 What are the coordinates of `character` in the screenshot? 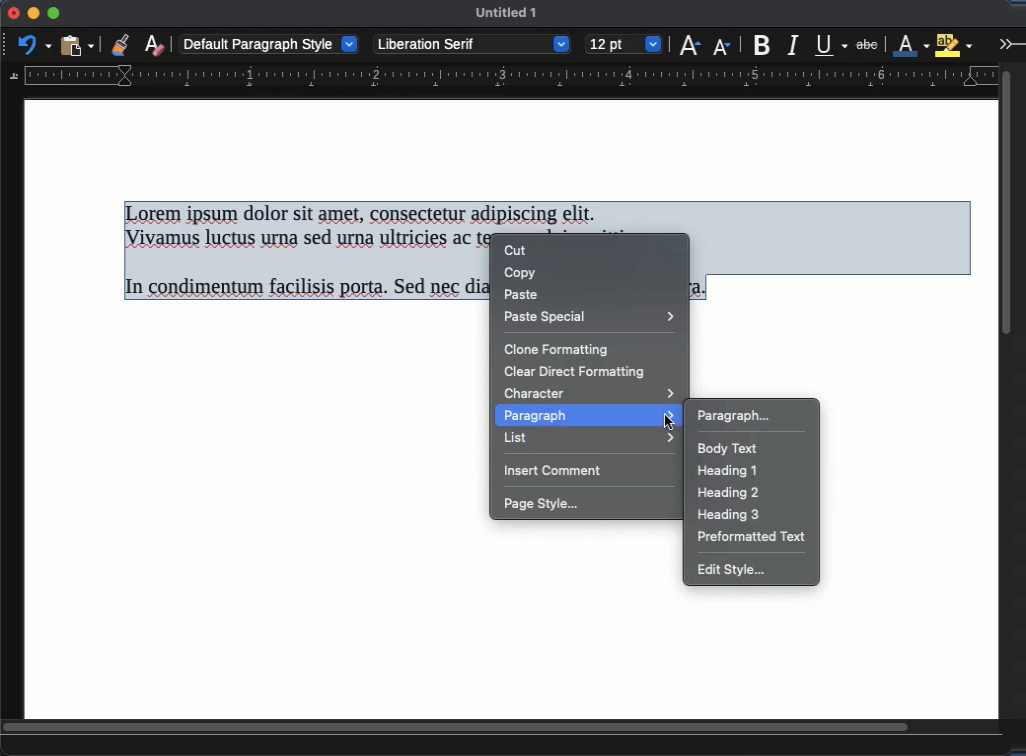 It's located at (590, 393).